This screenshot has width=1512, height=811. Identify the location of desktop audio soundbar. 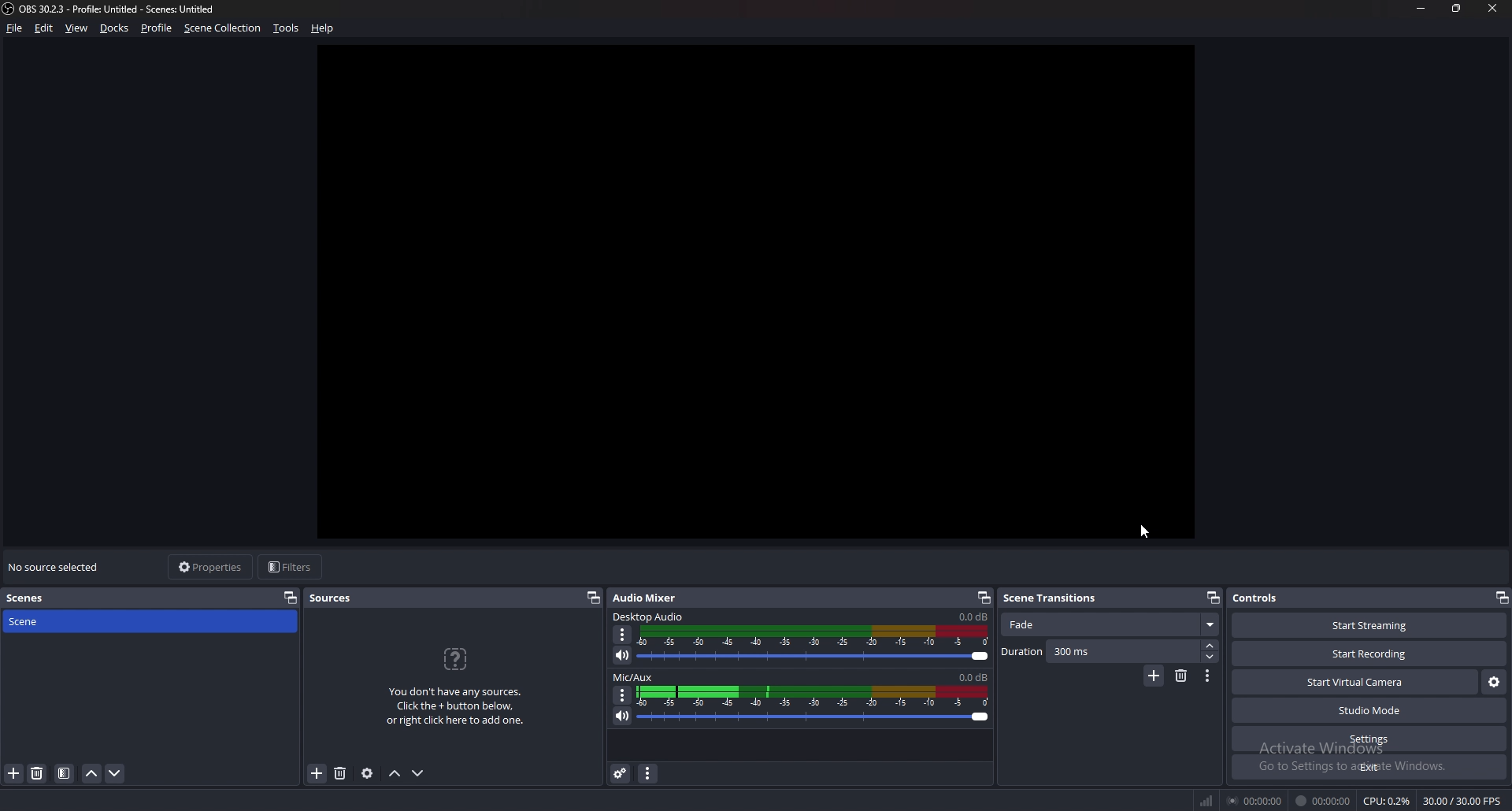
(817, 644).